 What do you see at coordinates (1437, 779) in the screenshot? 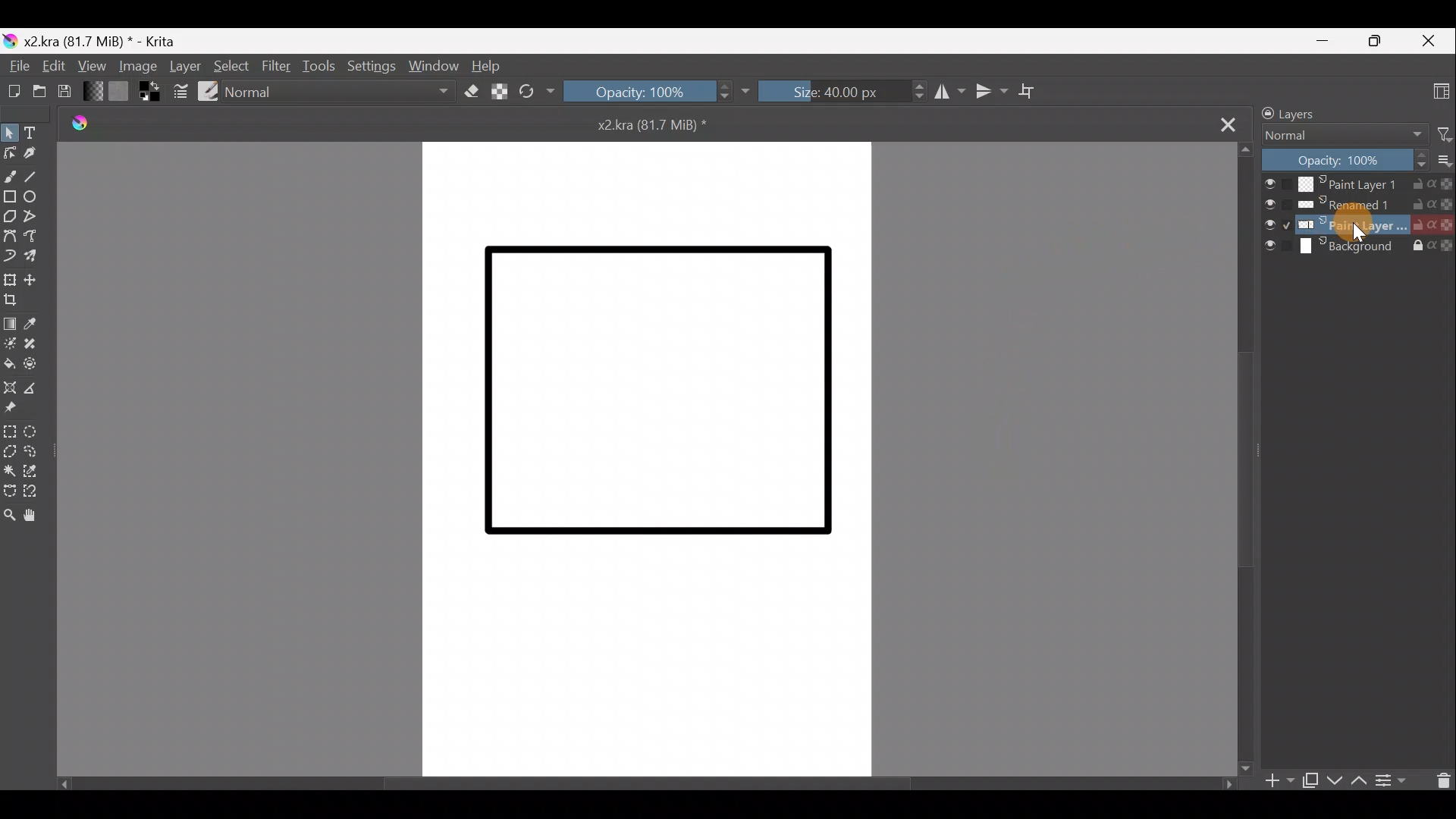
I see `Delete the layer/mask` at bounding box center [1437, 779].